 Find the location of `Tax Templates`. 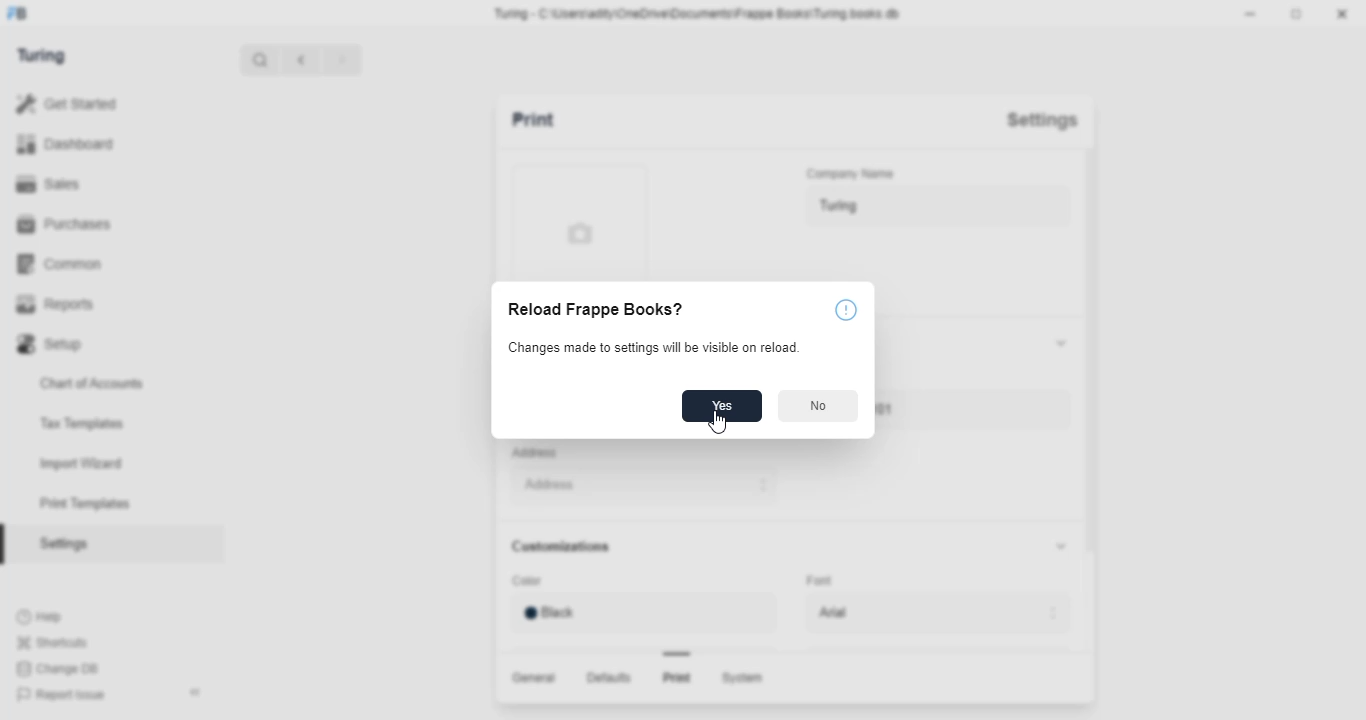

Tax Templates is located at coordinates (92, 421).